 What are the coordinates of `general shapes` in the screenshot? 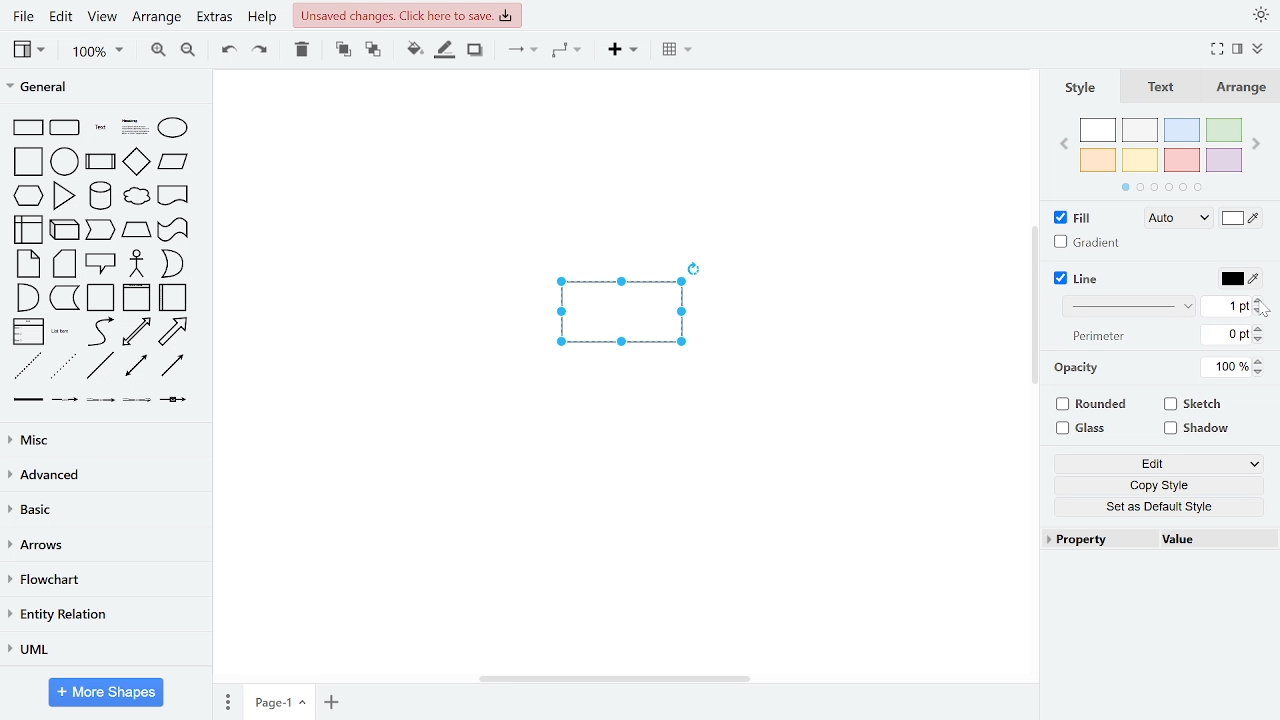 It's located at (65, 398).